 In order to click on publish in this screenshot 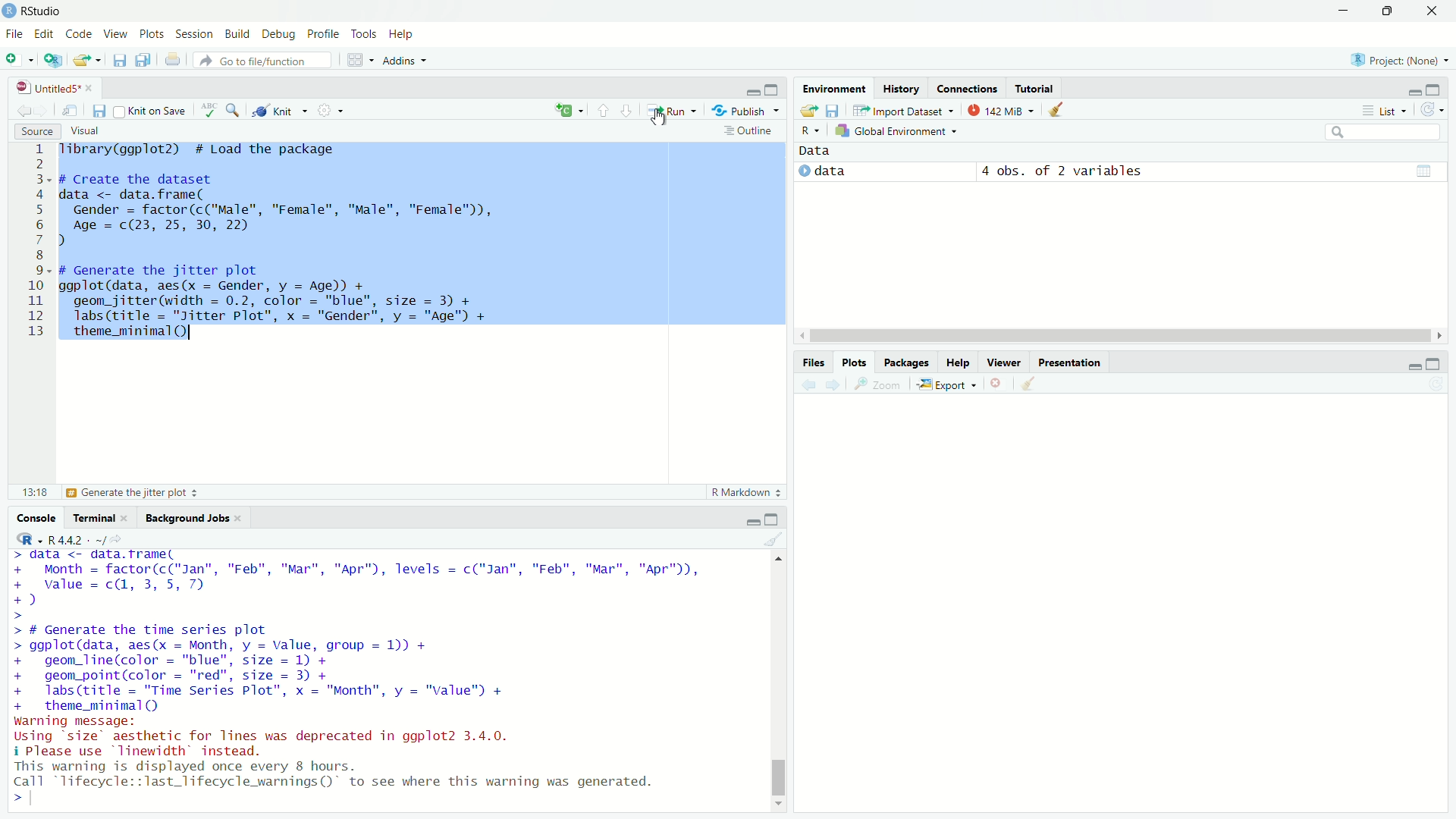, I will do `click(748, 110)`.